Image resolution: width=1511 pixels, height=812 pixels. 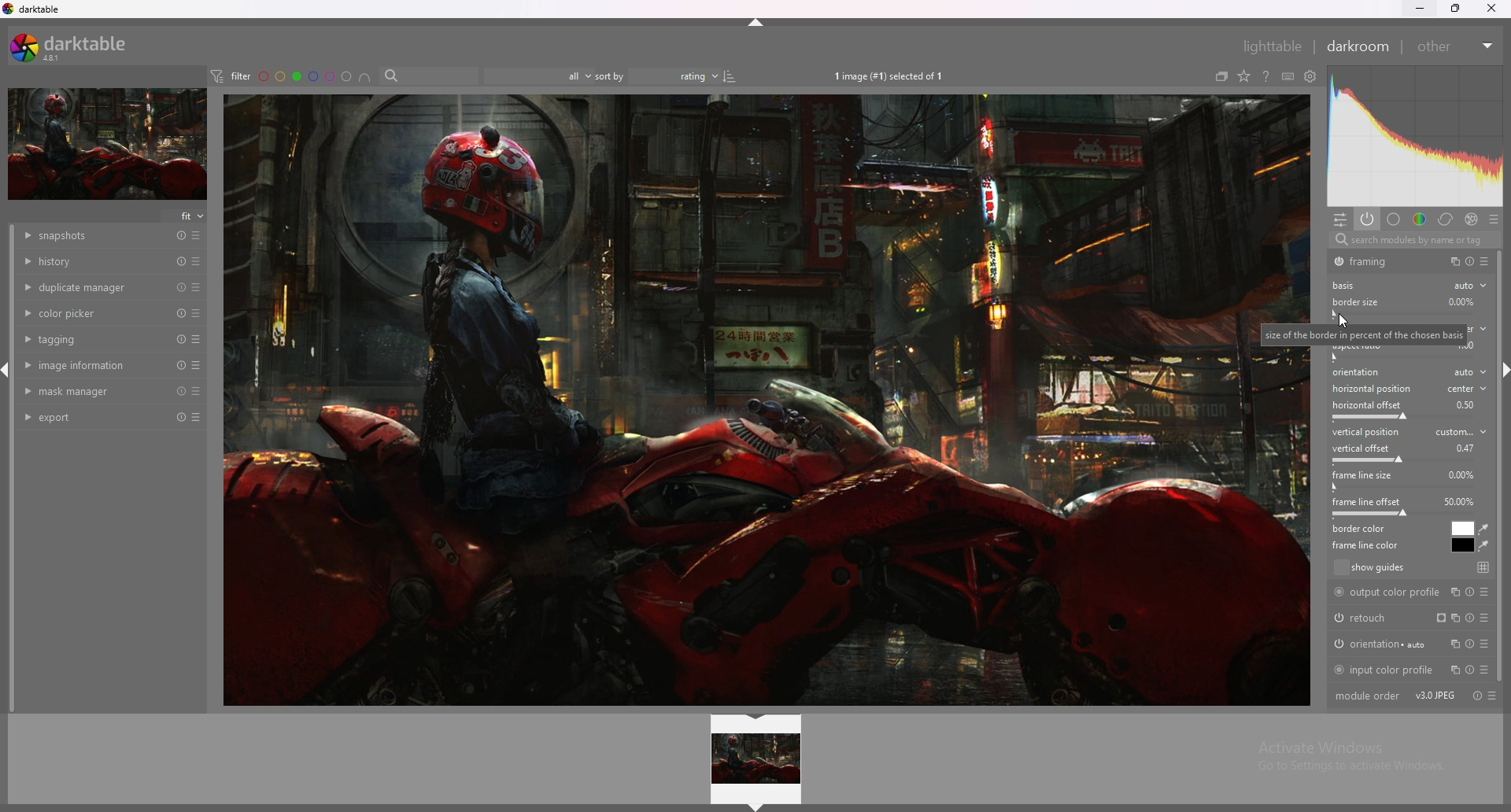 I want to click on search modules, so click(x=1416, y=242).